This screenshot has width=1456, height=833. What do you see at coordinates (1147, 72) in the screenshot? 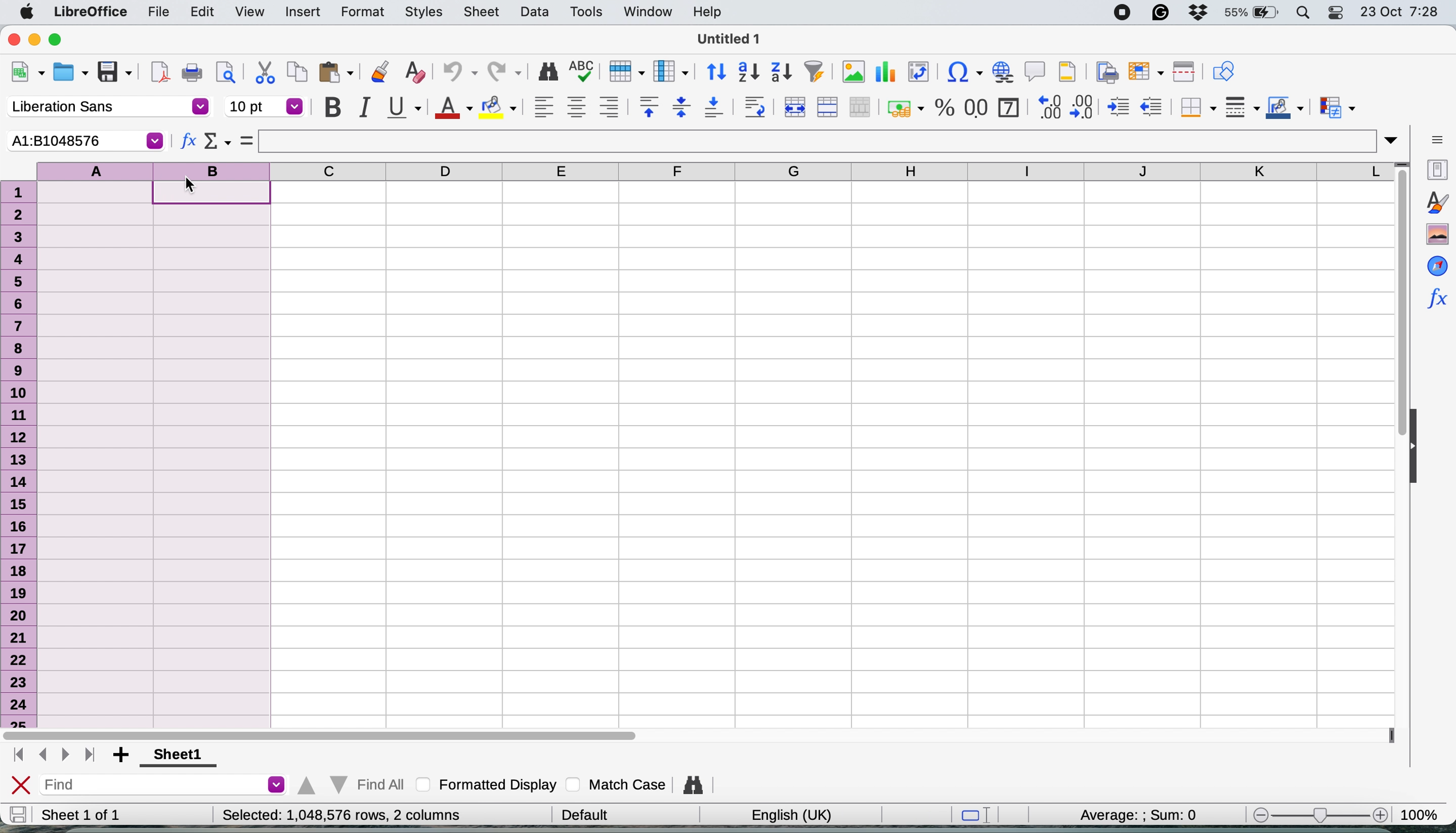
I see `freeze rows and columnbs` at bounding box center [1147, 72].